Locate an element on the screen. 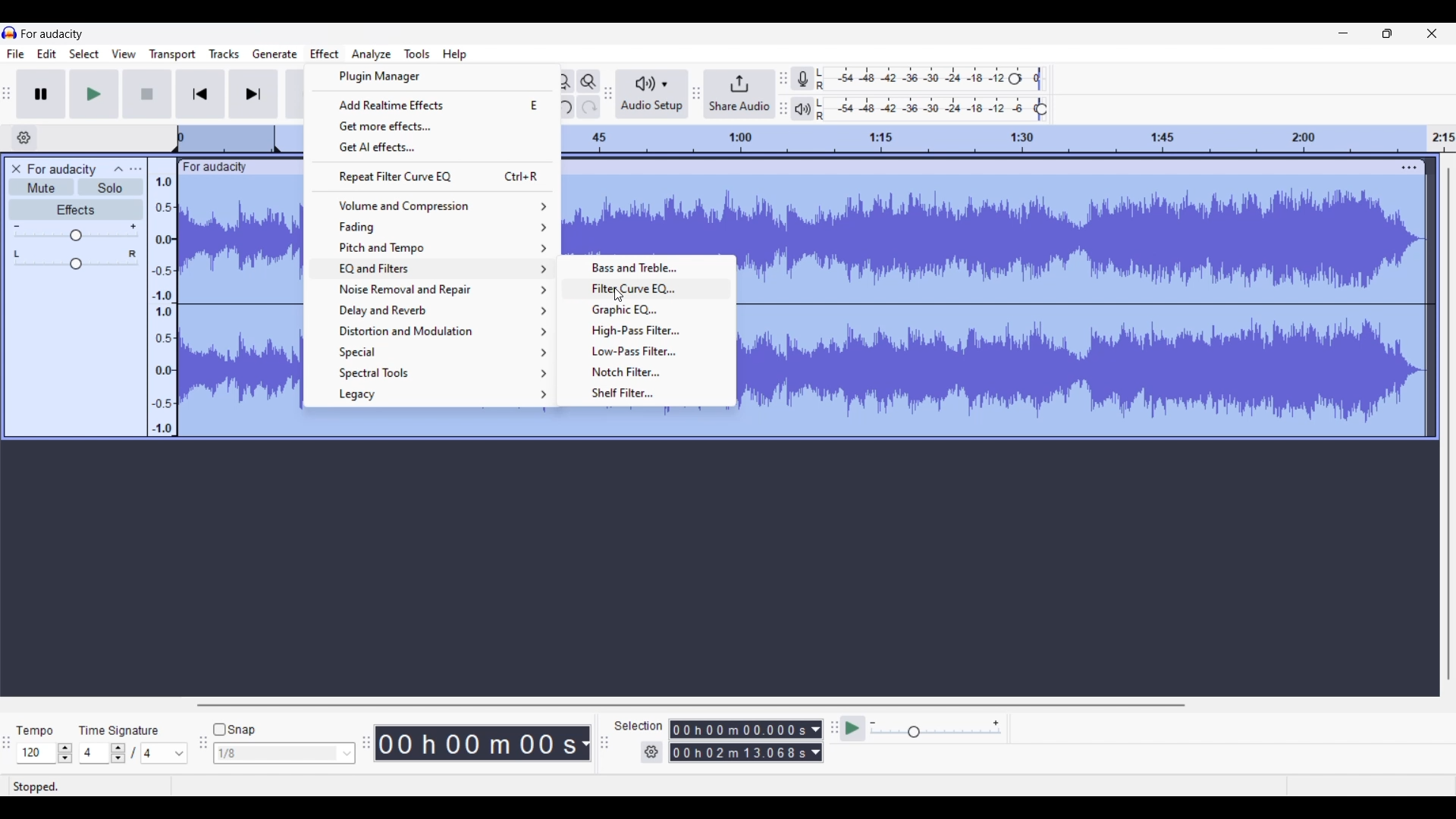  Volume and compression options is located at coordinates (433, 206).